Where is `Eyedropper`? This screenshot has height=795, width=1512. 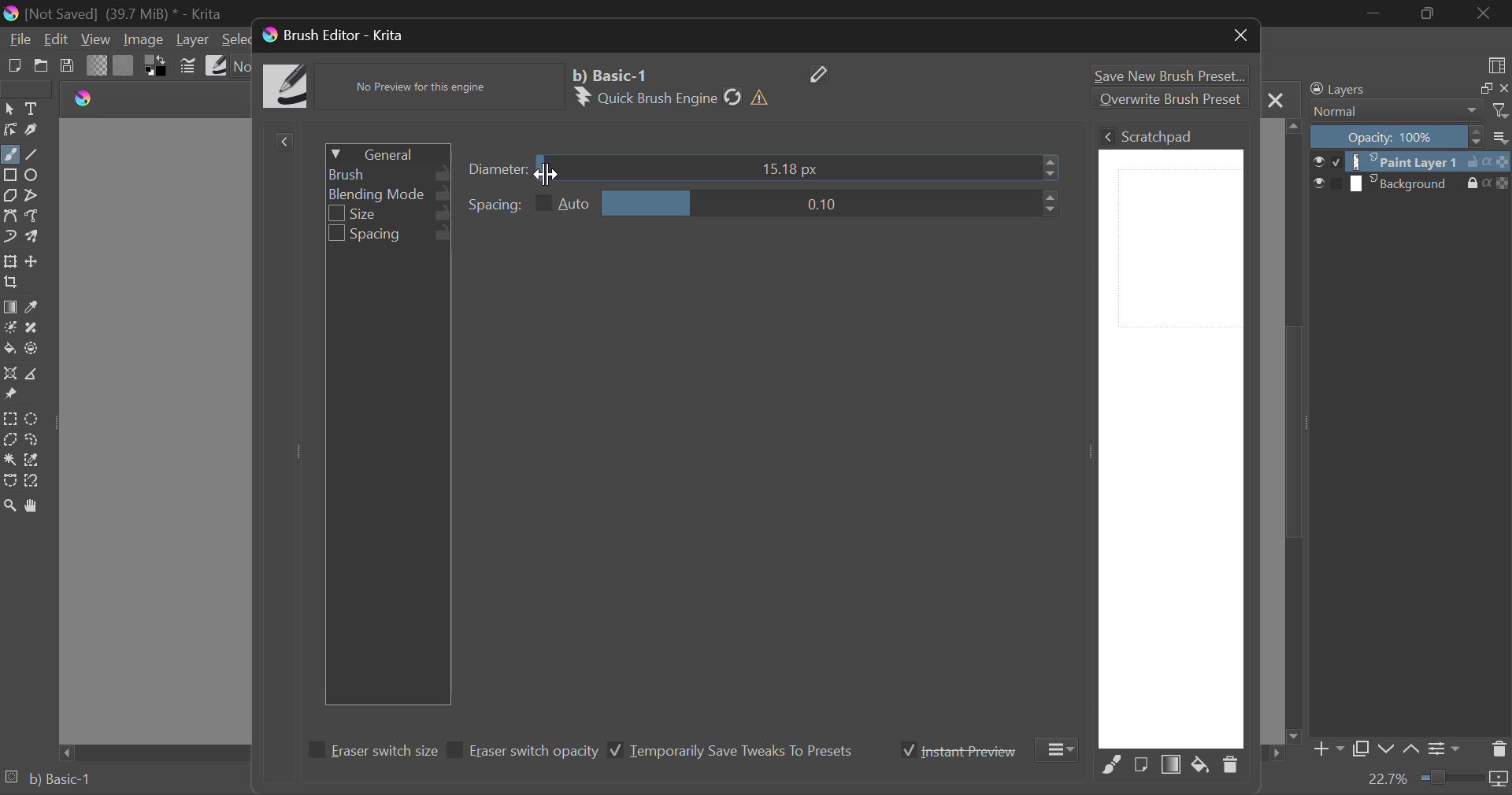 Eyedropper is located at coordinates (36, 308).